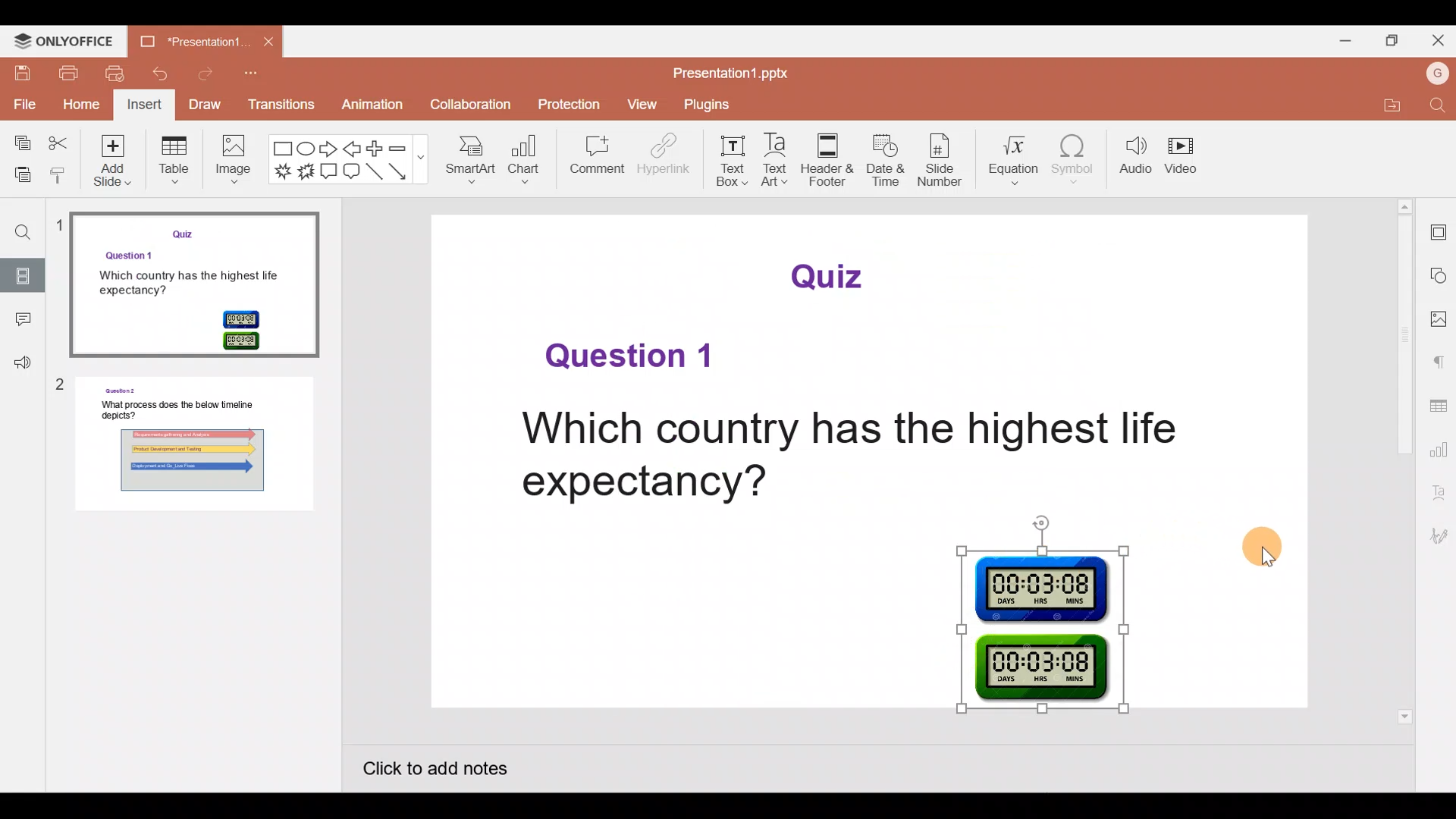 The height and width of the screenshot is (819, 1456). Describe the element at coordinates (827, 155) in the screenshot. I see `Header & footer` at that location.